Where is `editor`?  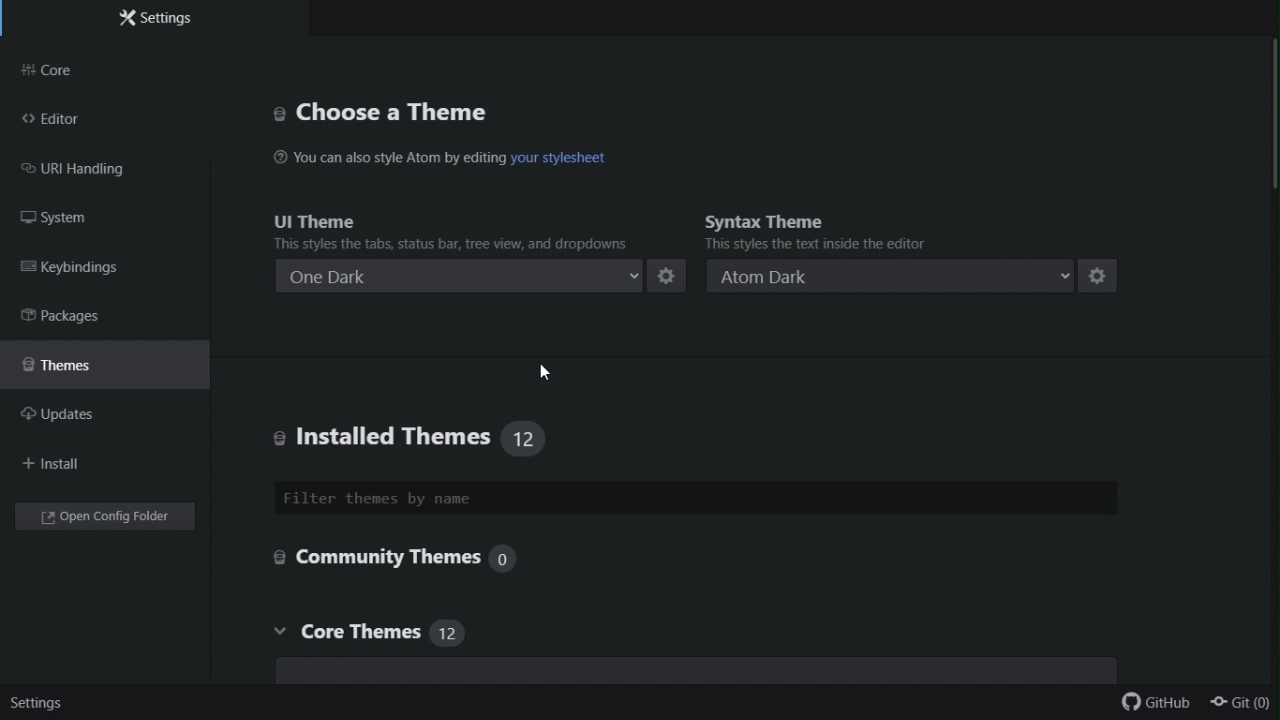
editor is located at coordinates (75, 122).